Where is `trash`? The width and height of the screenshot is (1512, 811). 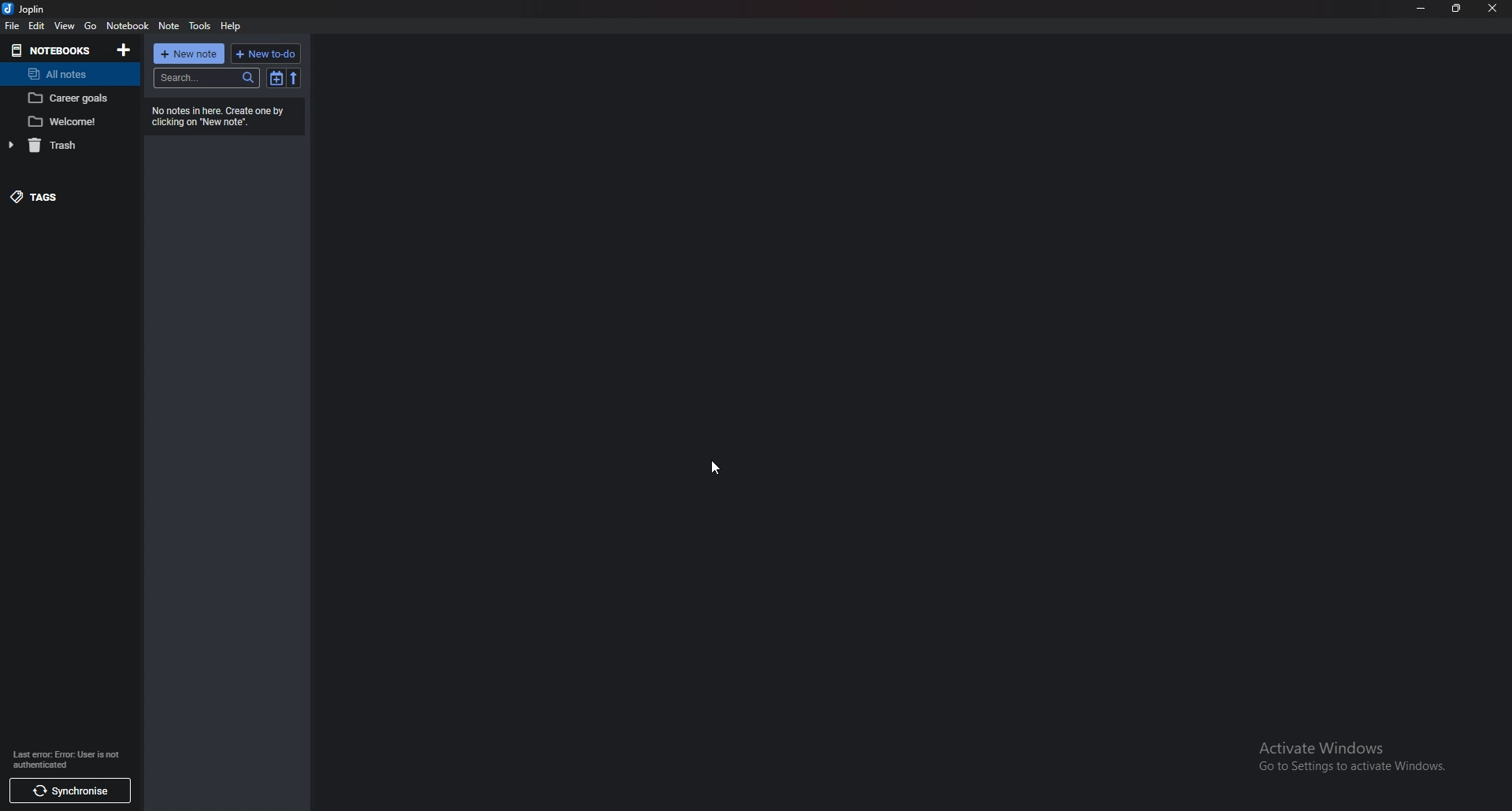 trash is located at coordinates (72, 144).